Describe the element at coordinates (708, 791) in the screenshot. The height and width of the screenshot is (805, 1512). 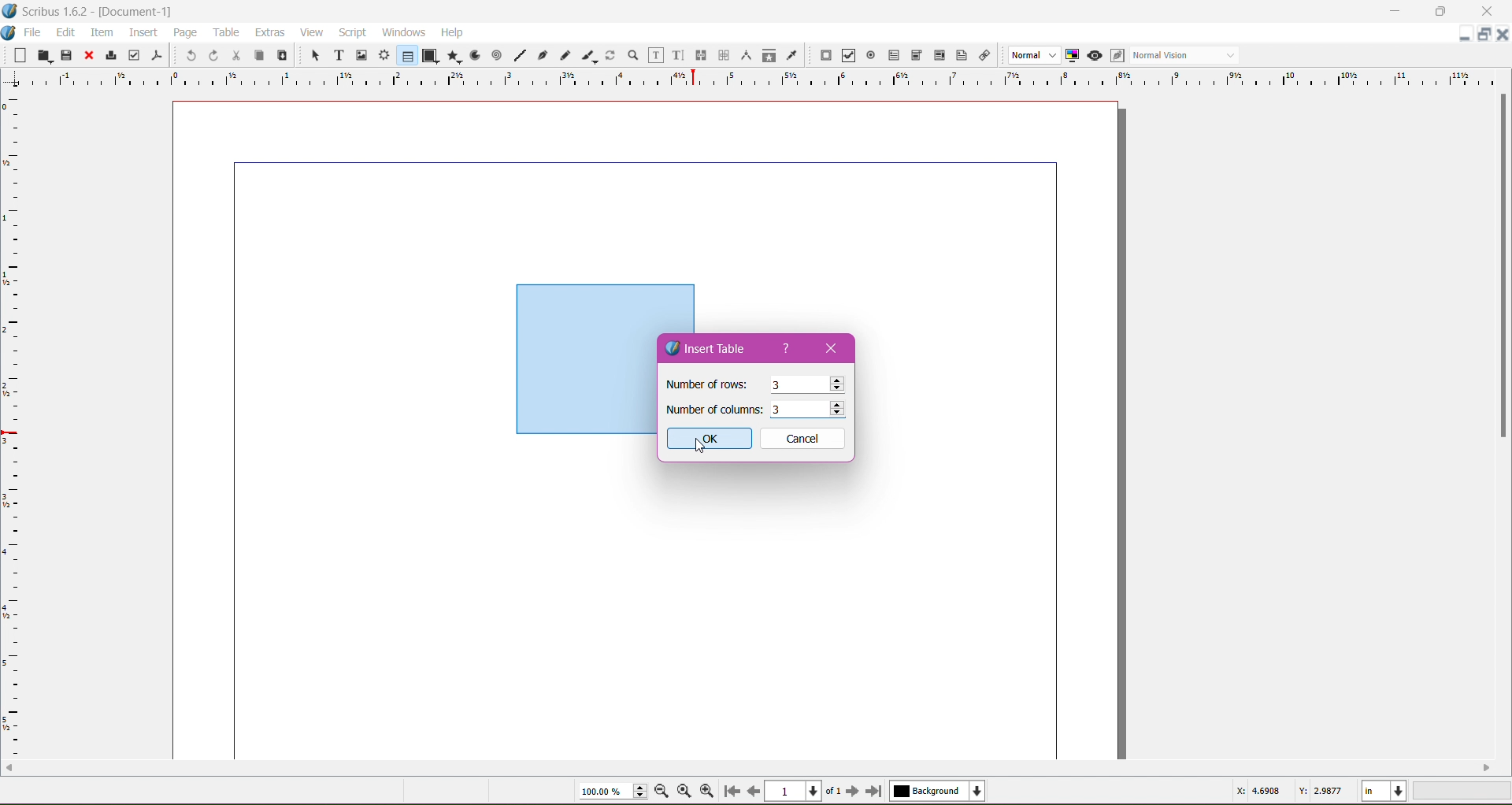
I see `Zoom in` at that location.